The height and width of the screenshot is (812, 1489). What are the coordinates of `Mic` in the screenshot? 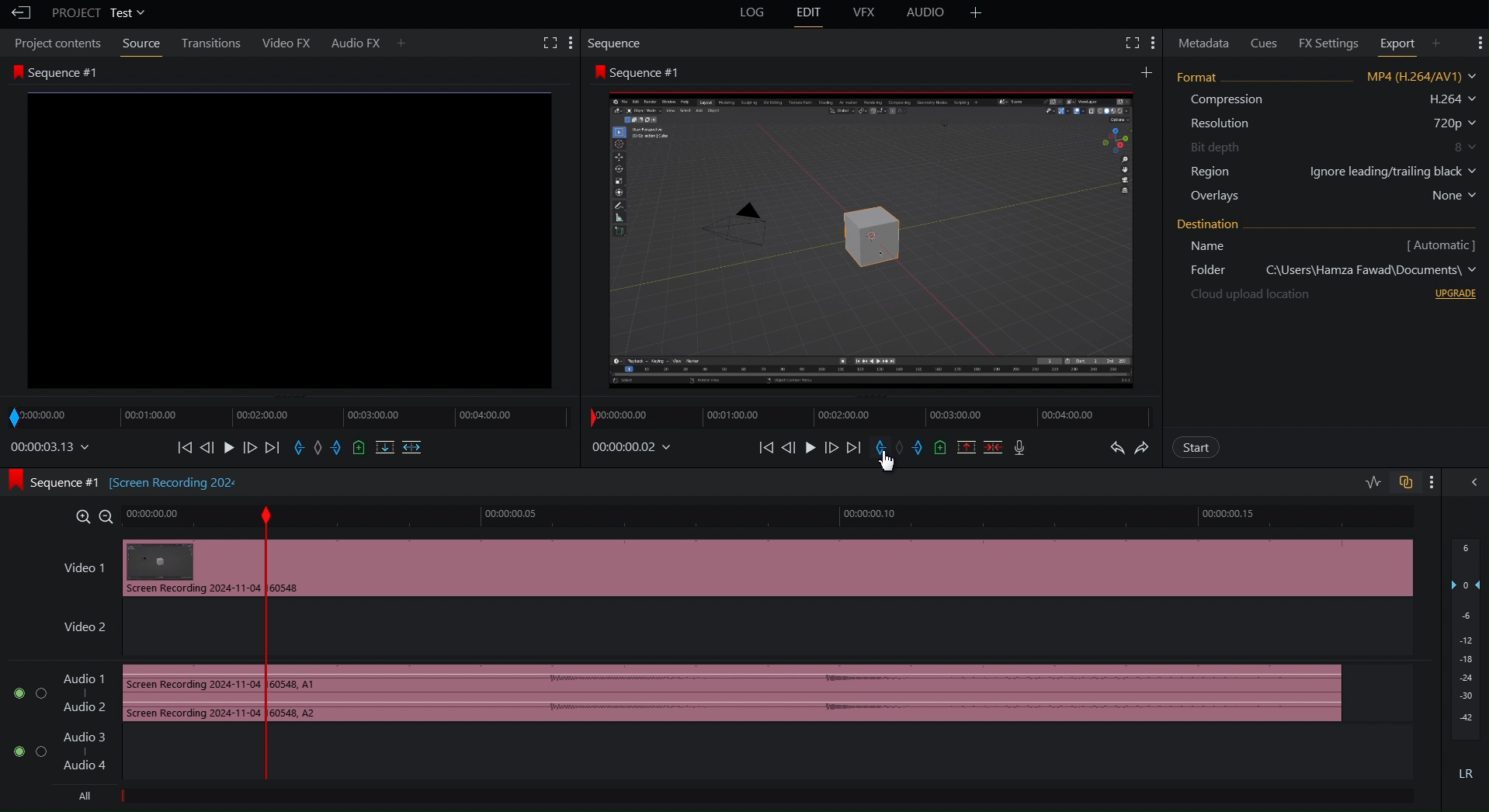 It's located at (1023, 449).